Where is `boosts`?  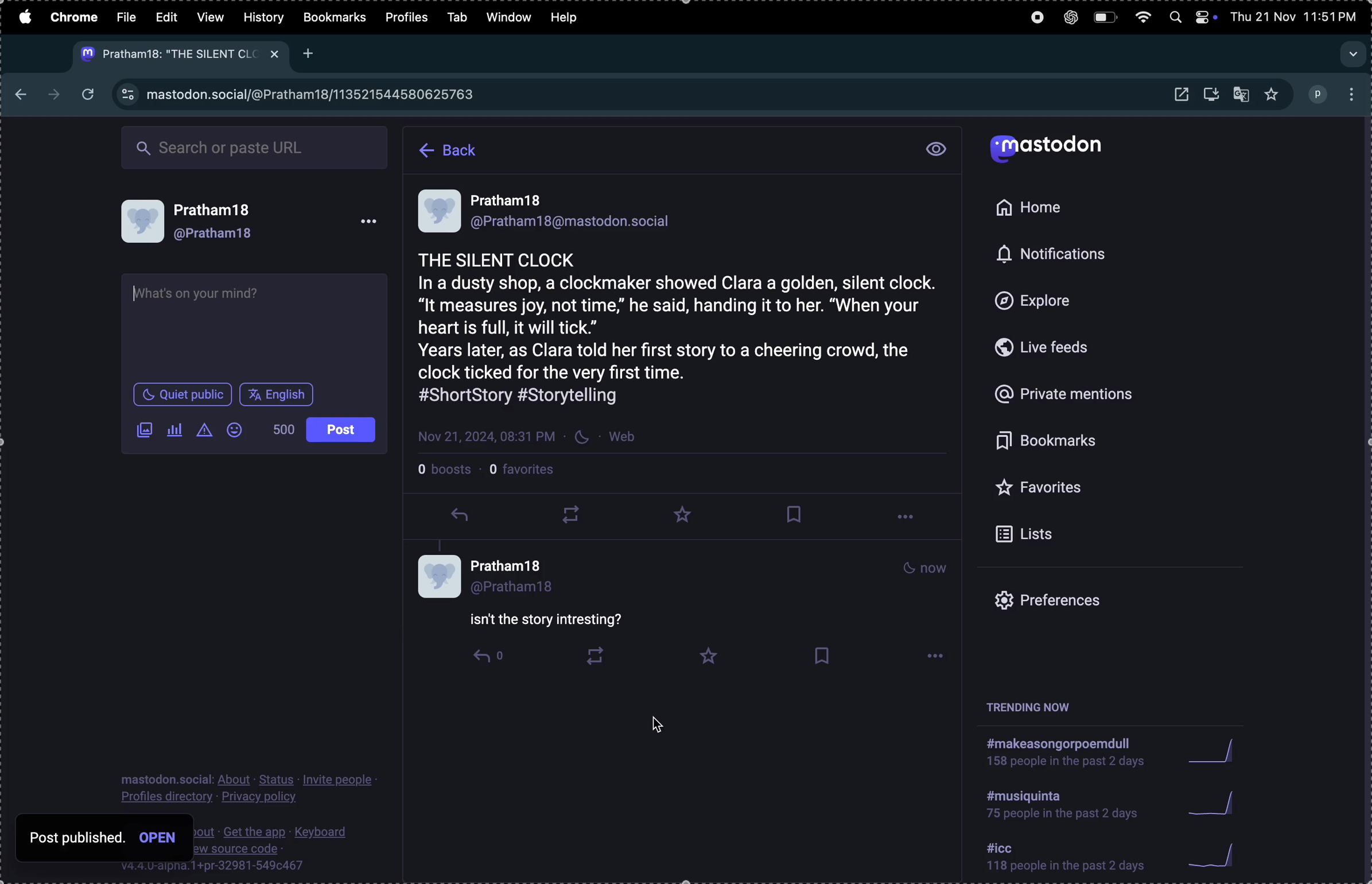
boosts is located at coordinates (446, 472).